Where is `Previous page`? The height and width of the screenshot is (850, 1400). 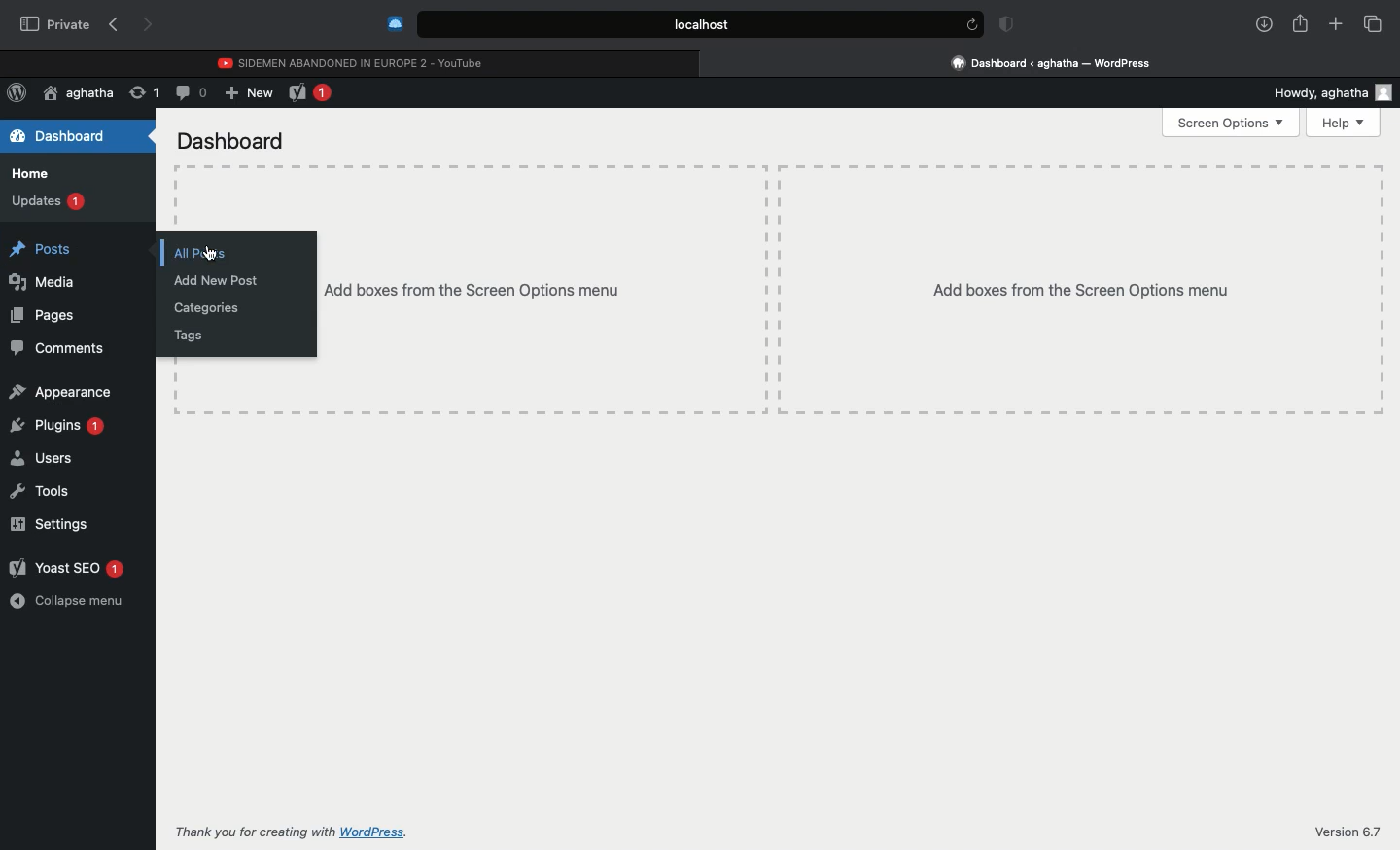
Previous page is located at coordinates (113, 25).